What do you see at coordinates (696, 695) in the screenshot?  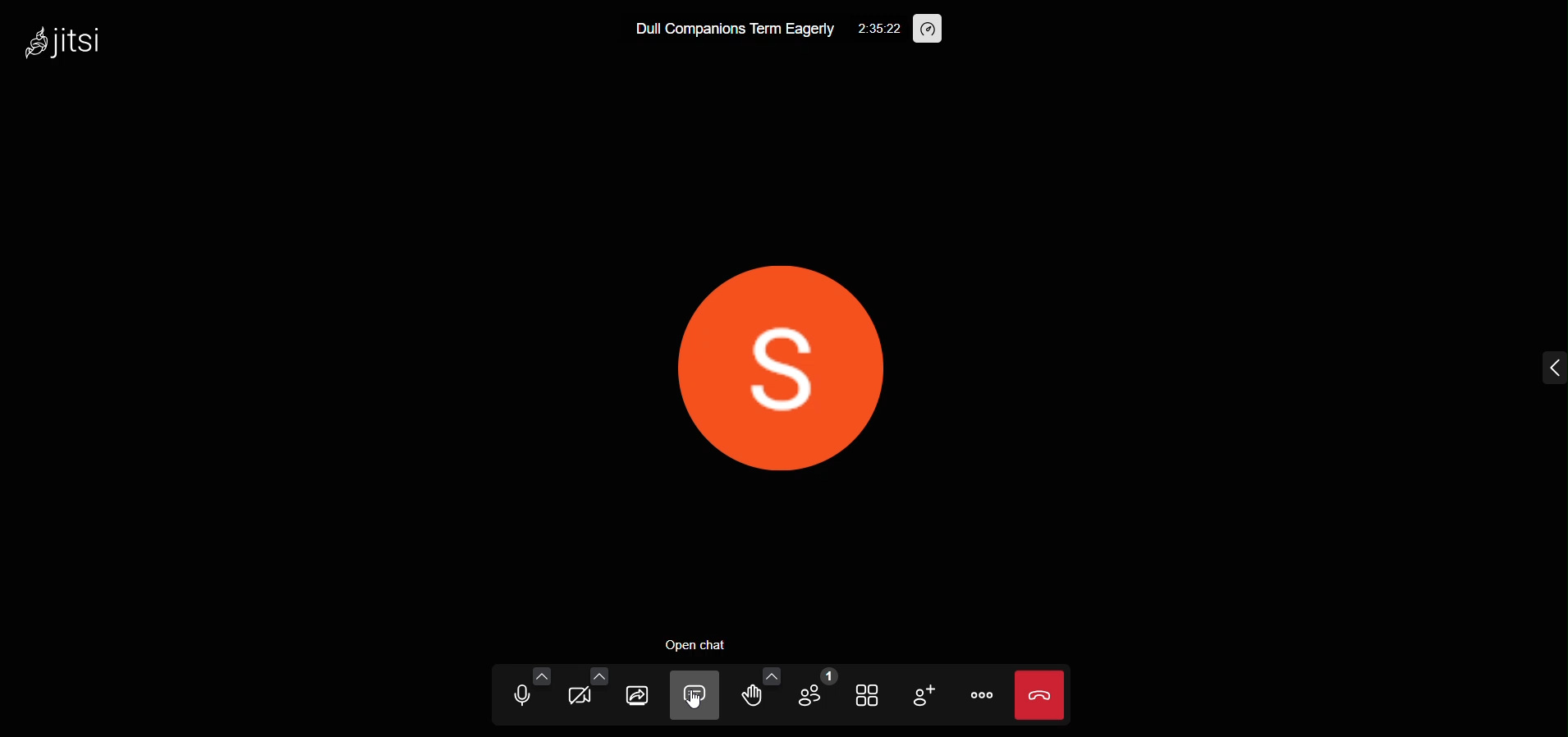 I see `chat` at bounding box center [696, 695].